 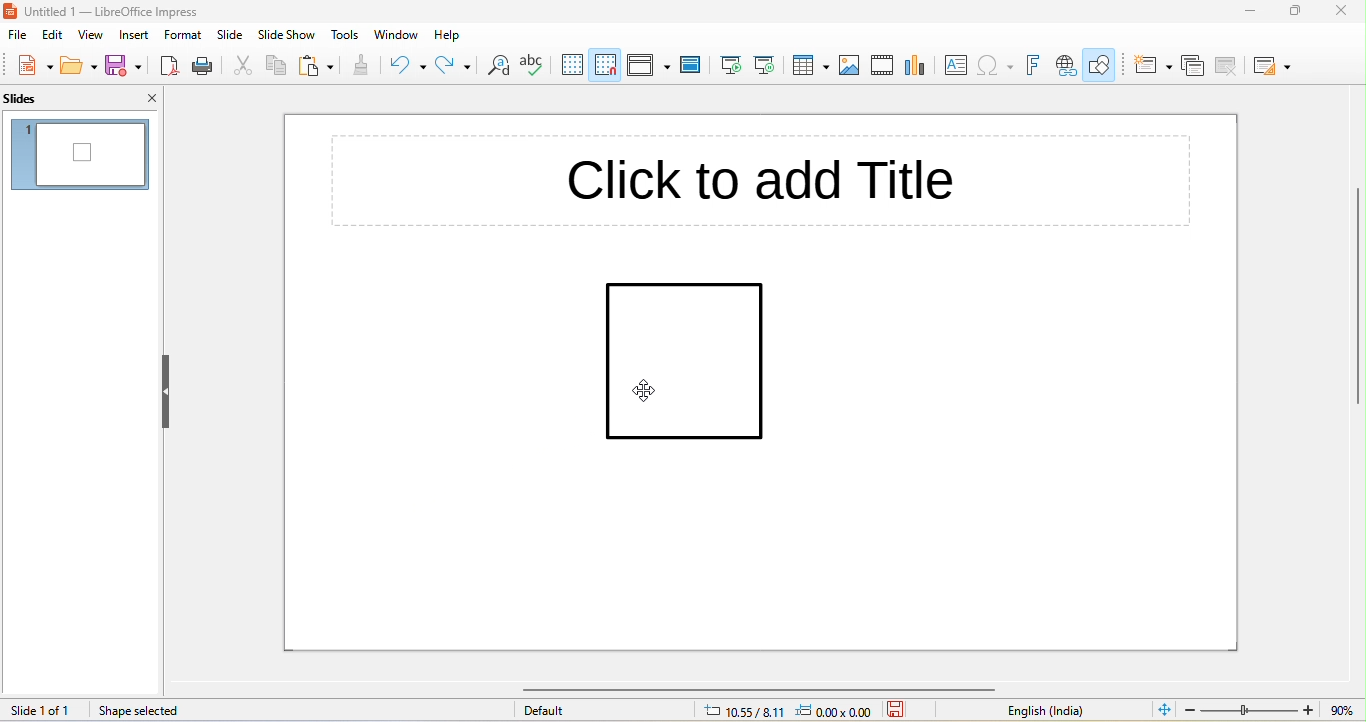 I want to click on display grid, so click(x=571, y=64).